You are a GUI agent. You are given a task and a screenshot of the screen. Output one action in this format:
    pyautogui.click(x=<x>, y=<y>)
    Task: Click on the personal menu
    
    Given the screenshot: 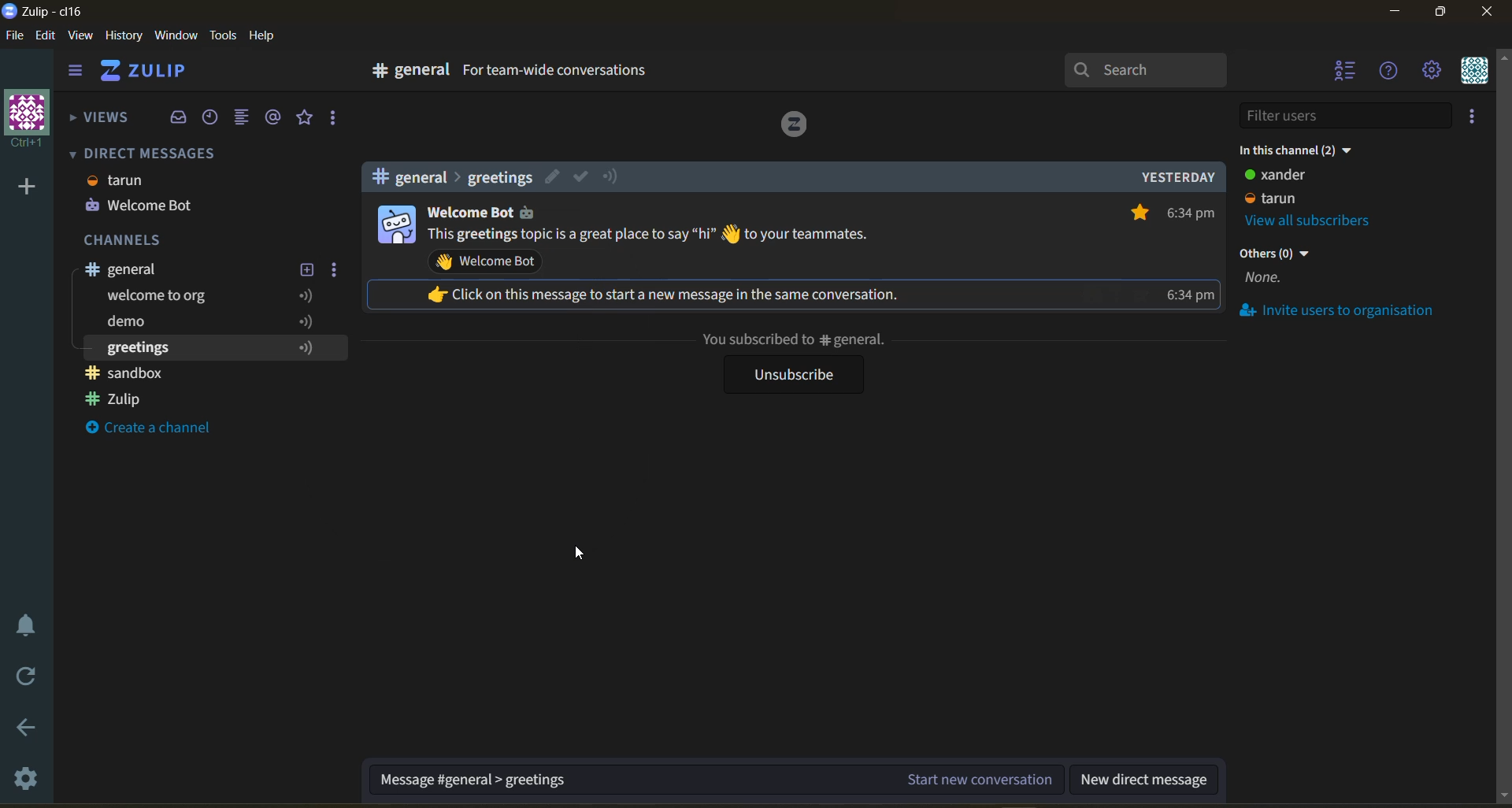 What is the action you would take?
    pyautogui.click(x=1479, y=72)
    